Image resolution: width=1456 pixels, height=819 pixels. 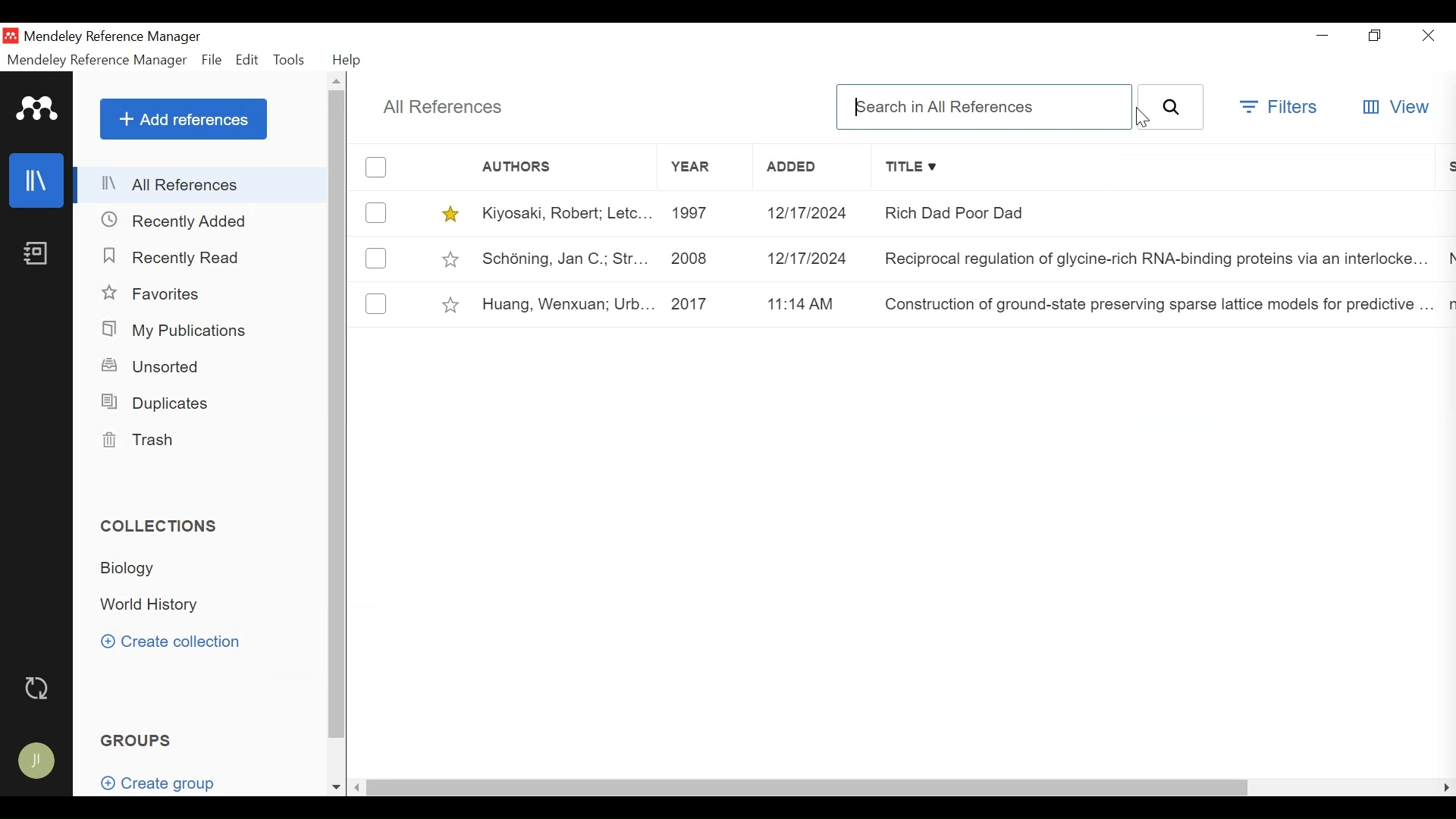 I want to click on All References, so click(x=202, y=183).